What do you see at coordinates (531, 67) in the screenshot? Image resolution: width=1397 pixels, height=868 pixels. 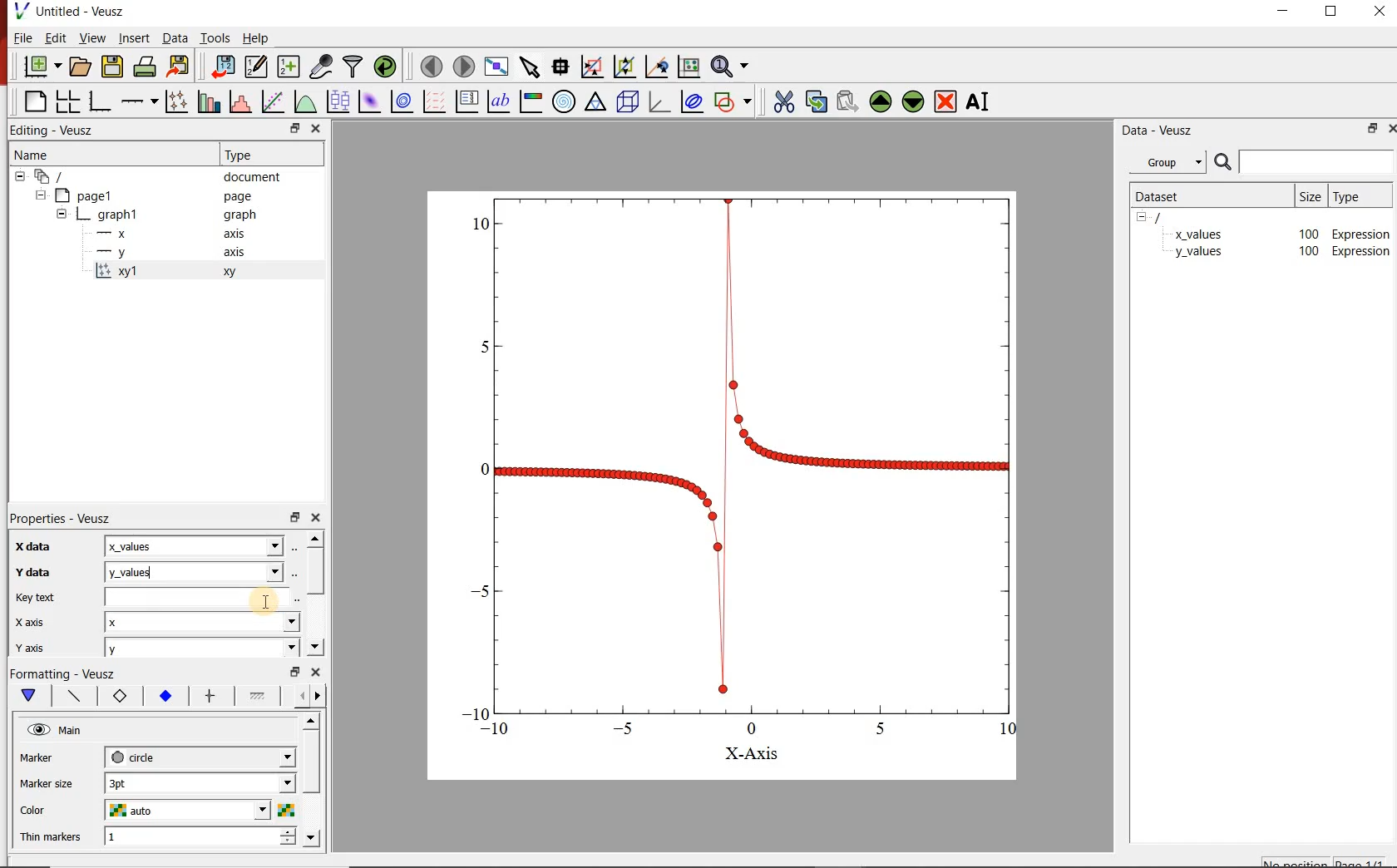 I see `select items from the graph` at bounding box center [531, 67].